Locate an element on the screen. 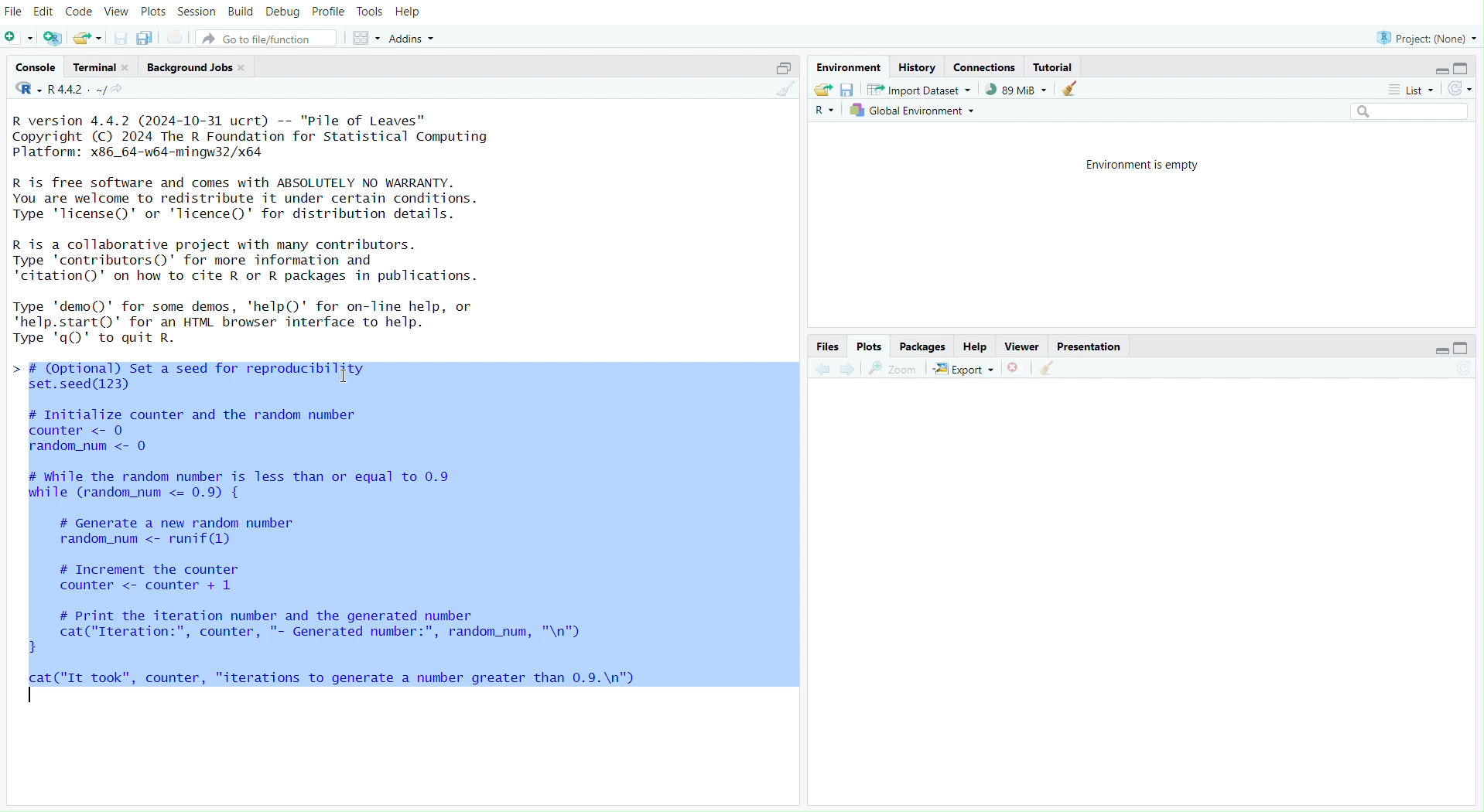 The height and width of the screenshot is (812, 1484). Zoom is located at coordinates (898, 367).